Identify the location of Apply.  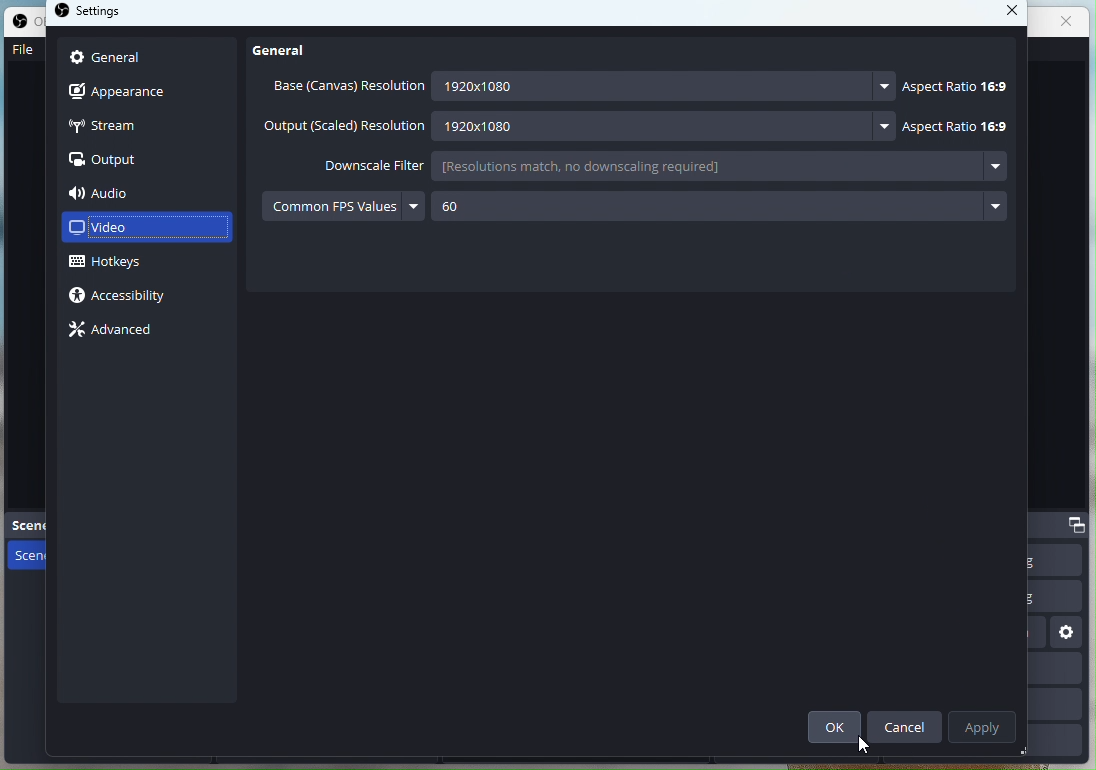
(985, 725).